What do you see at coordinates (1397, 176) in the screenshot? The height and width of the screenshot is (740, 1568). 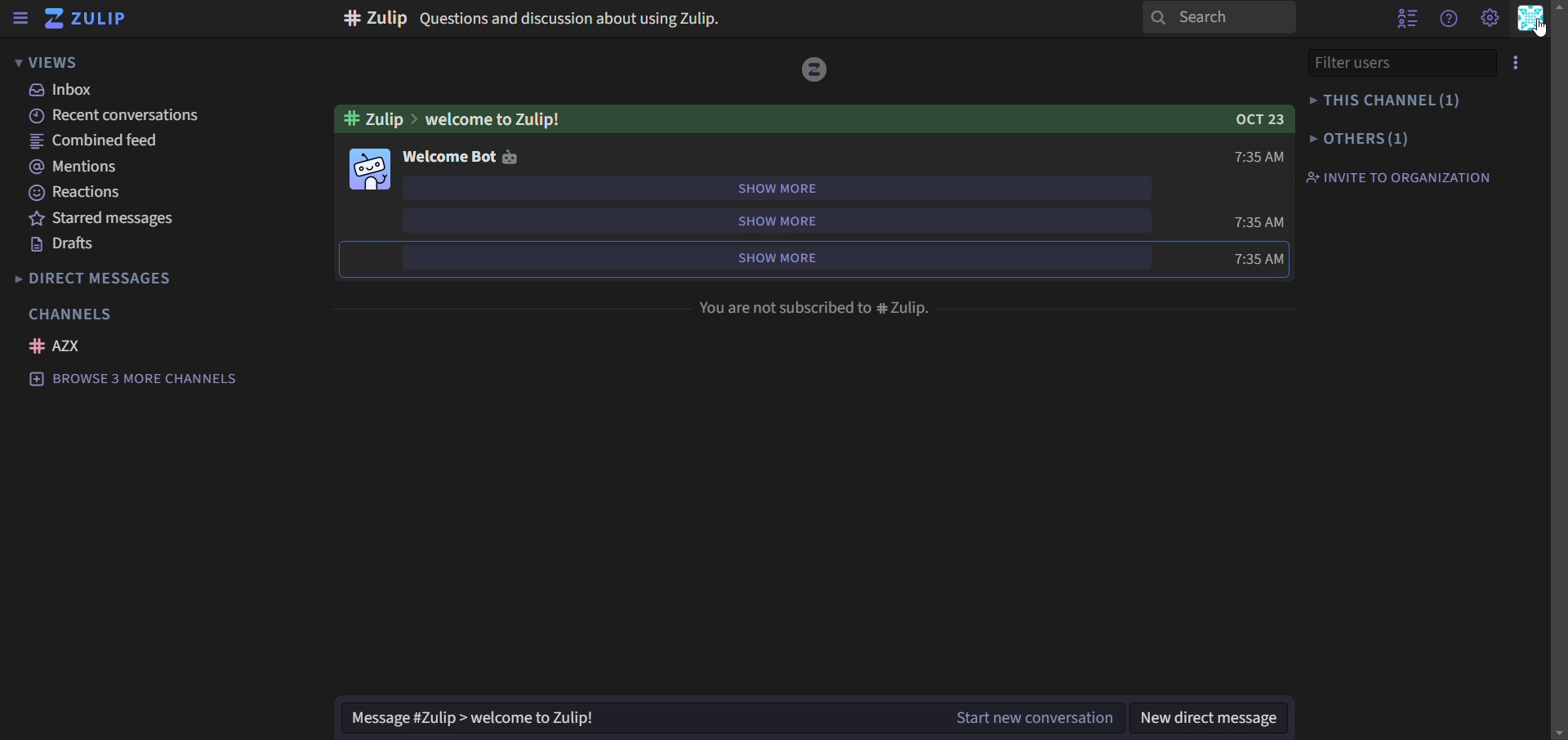 I see `invite to organisation` at bounding box center [1397, 176].